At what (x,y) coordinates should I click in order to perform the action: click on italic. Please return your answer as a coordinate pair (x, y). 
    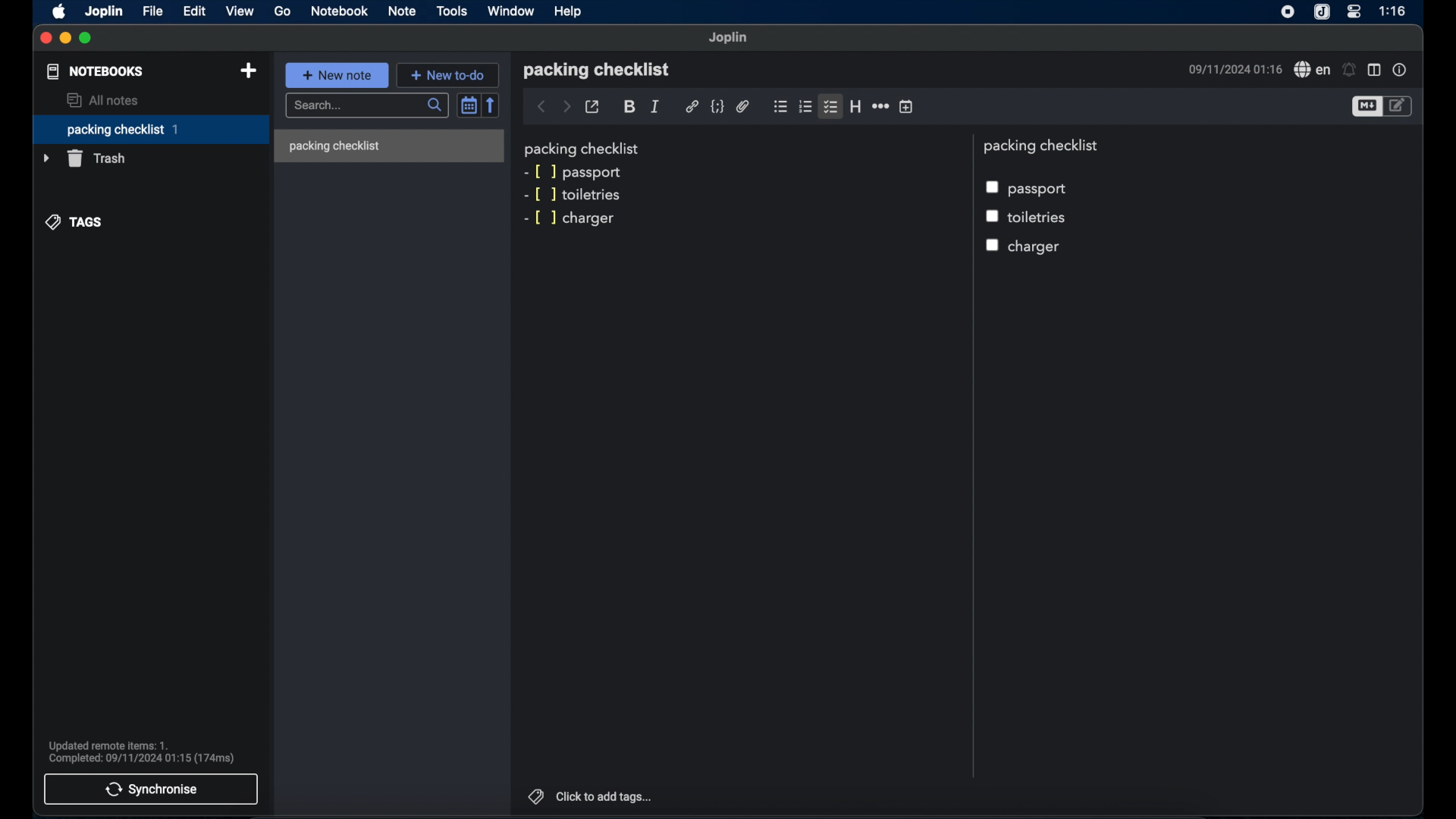
    Looking at the image, I should click on (654, 105).